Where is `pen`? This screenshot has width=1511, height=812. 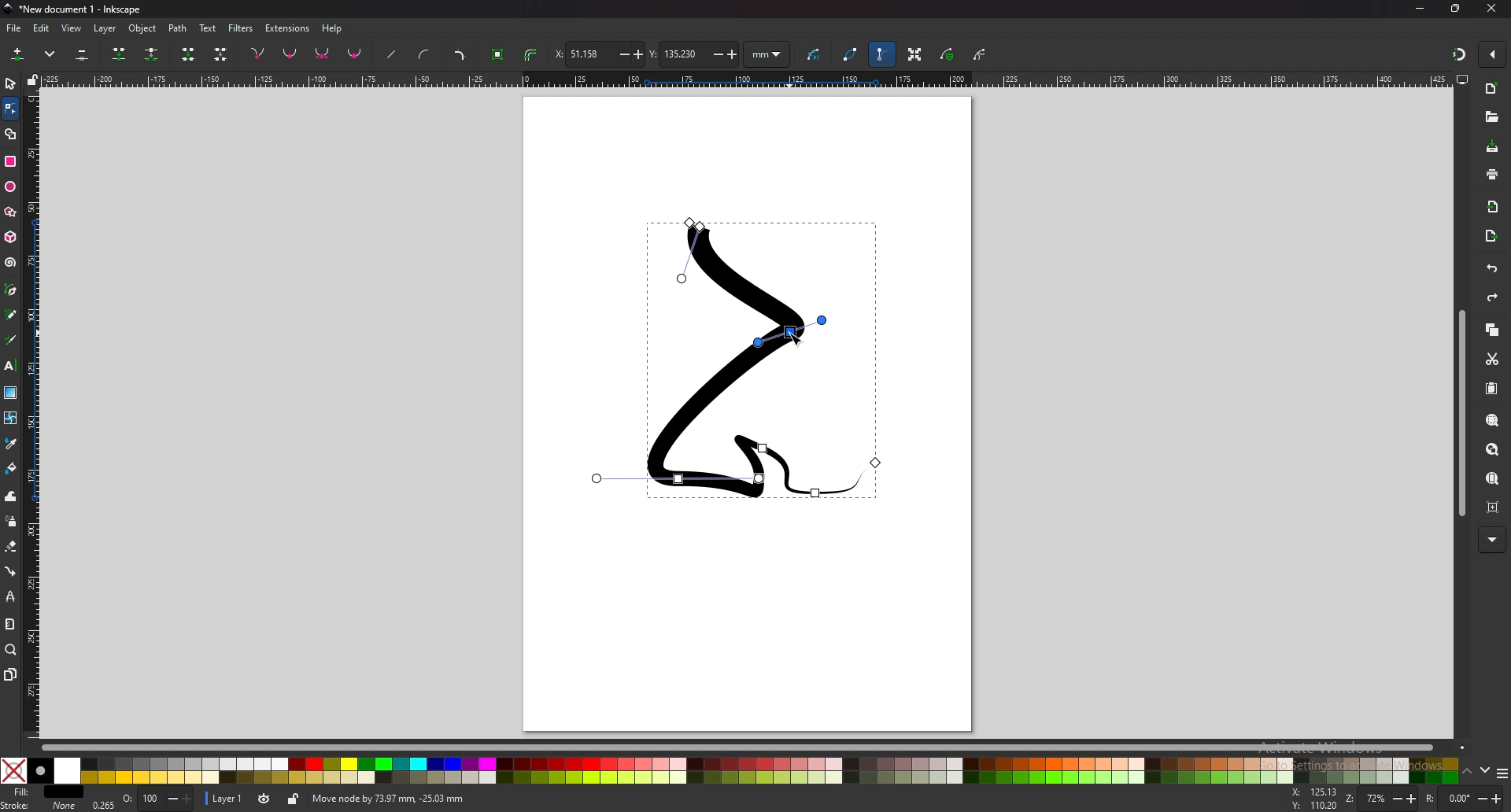 pen is located at coordinates (11, 290).